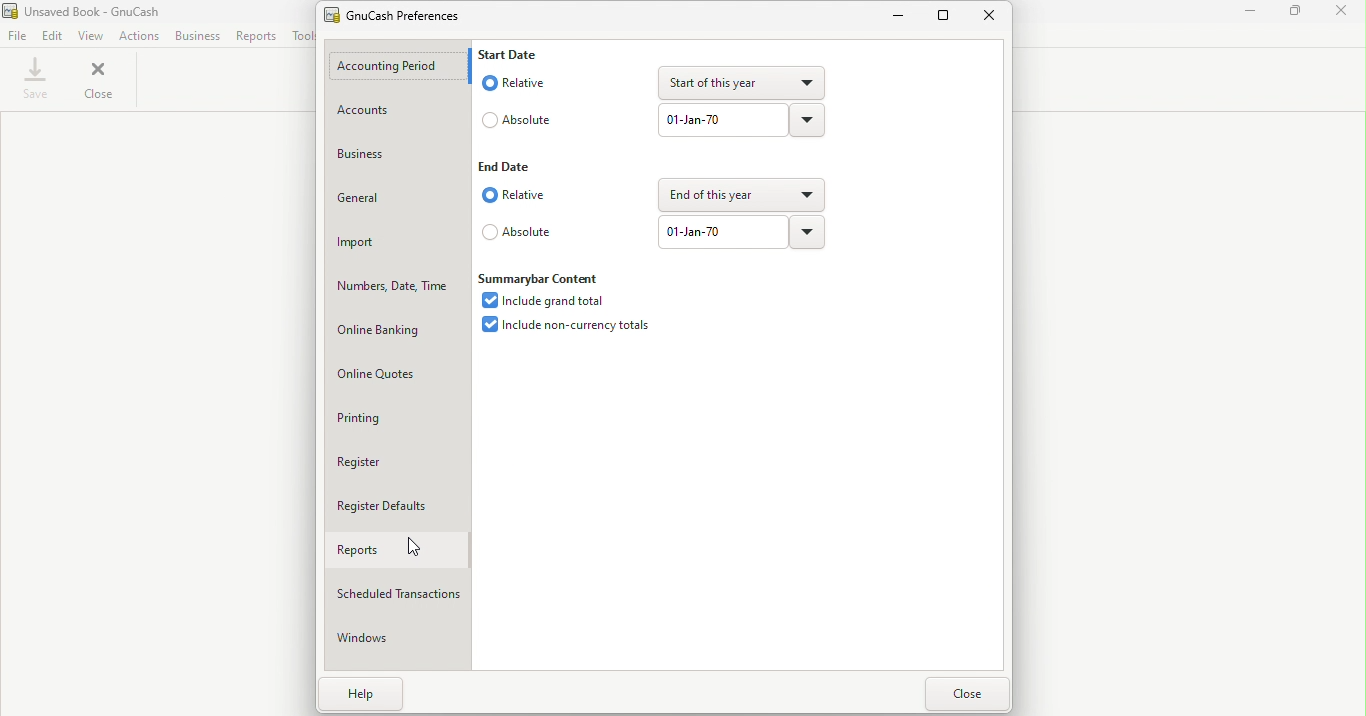  Describe the element at coordinates (393, 288) in the screenshot. I see `Numbers, date, time` at that location.